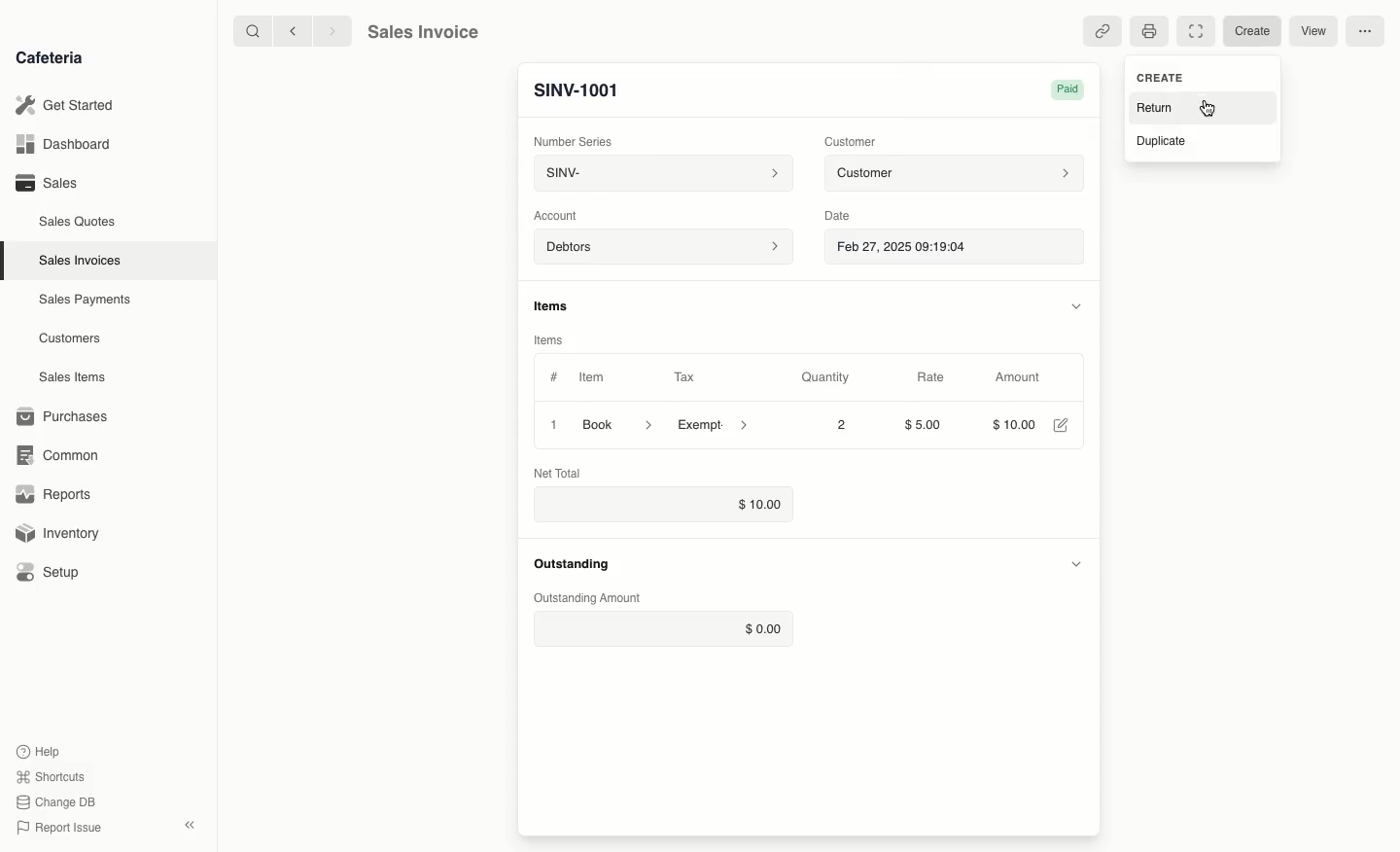 Image resolution: width=1400 pixels, height=852 pixels. What do you see at coordinates (663, 248) in the screenshot?
I see `Debtors ` at bounding box center [663, 248].